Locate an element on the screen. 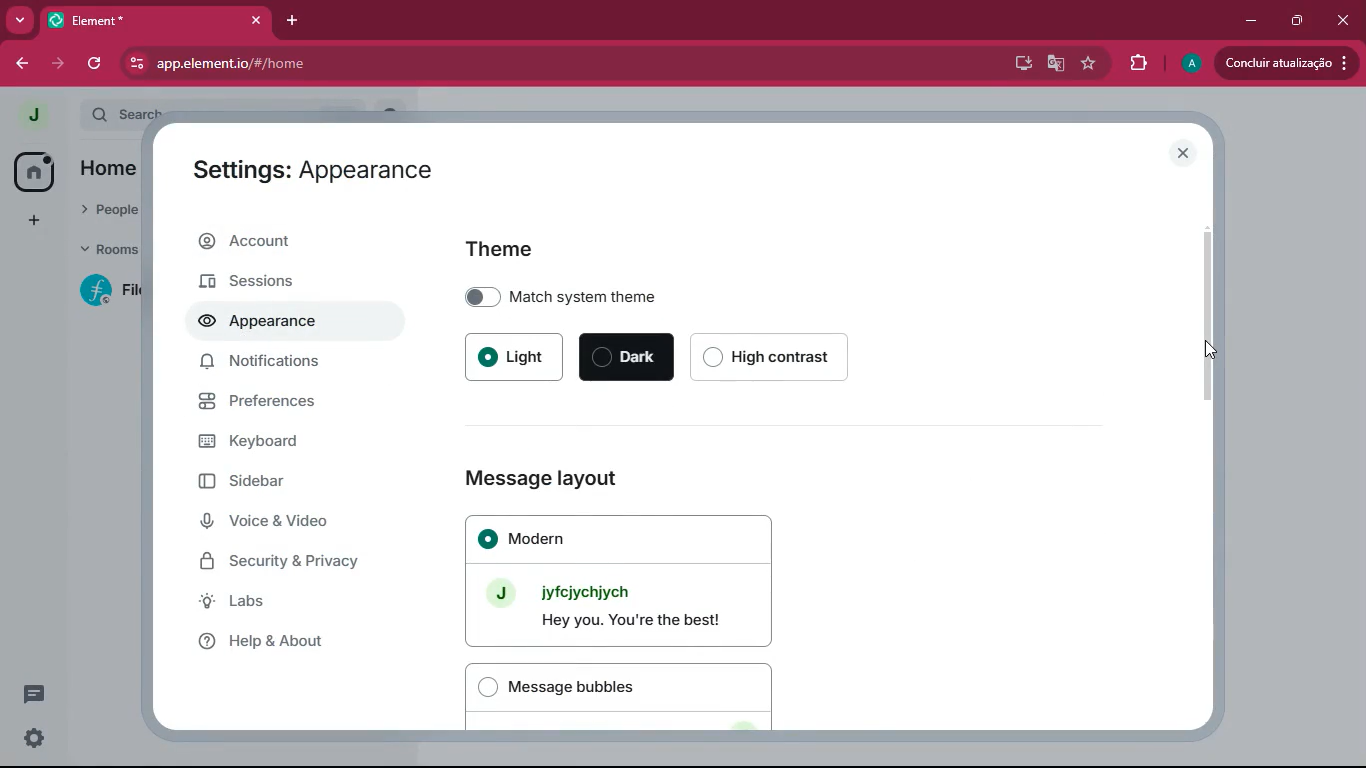 The image size is (1366, 768). room is located at coordinates (105, 291).